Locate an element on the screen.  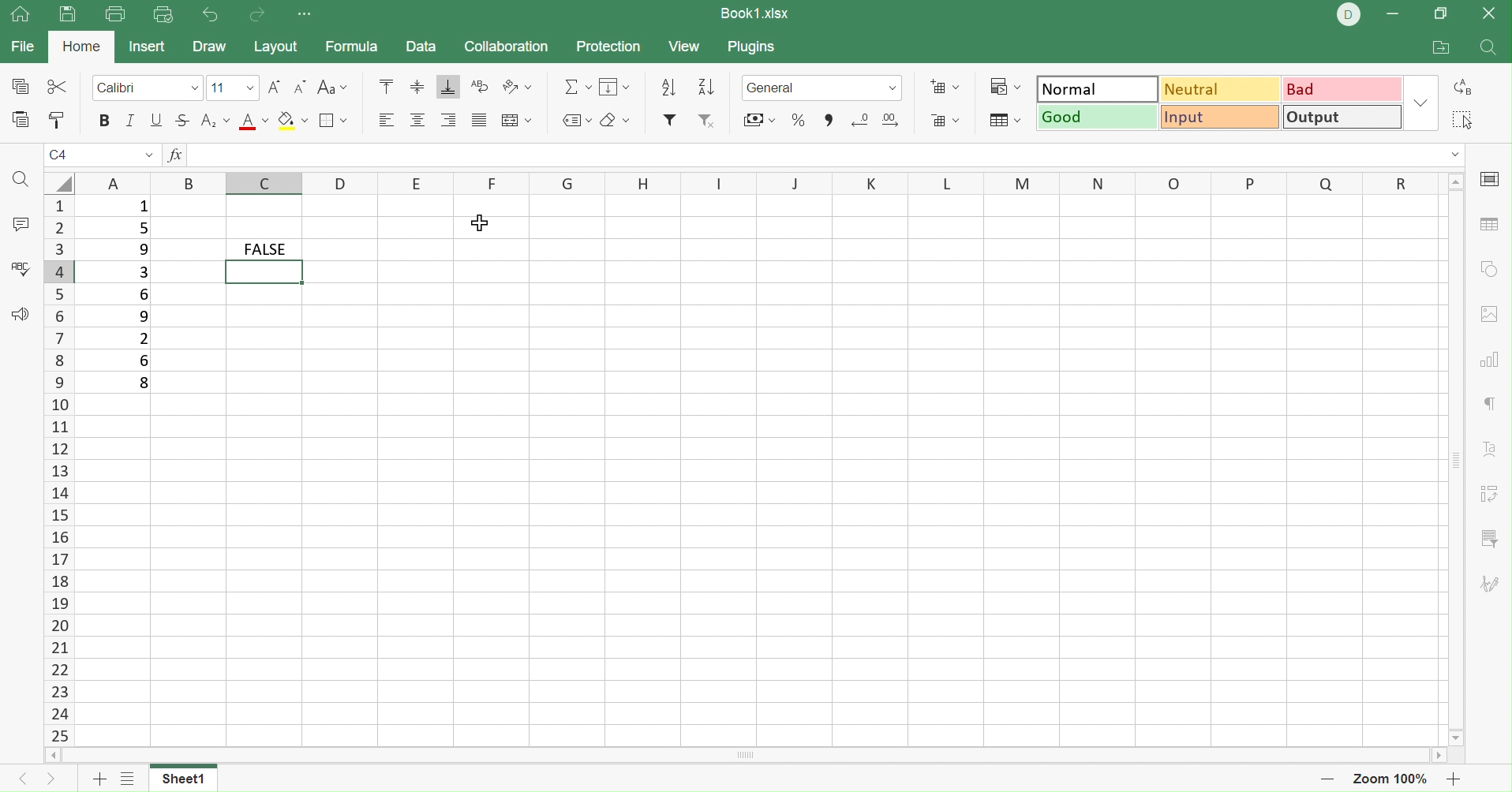
Table settings is located at coordinates (1488, 223).